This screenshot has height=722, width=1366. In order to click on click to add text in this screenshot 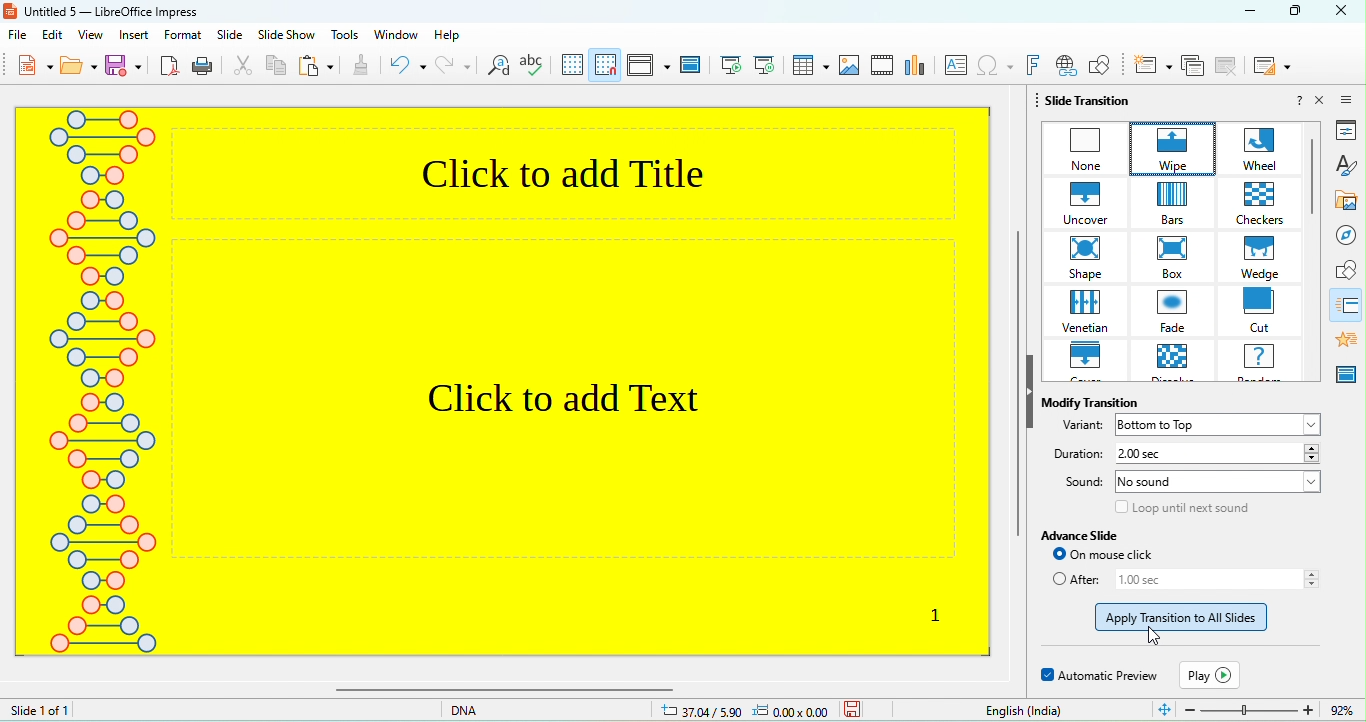, I will do `click(584, 447)`.